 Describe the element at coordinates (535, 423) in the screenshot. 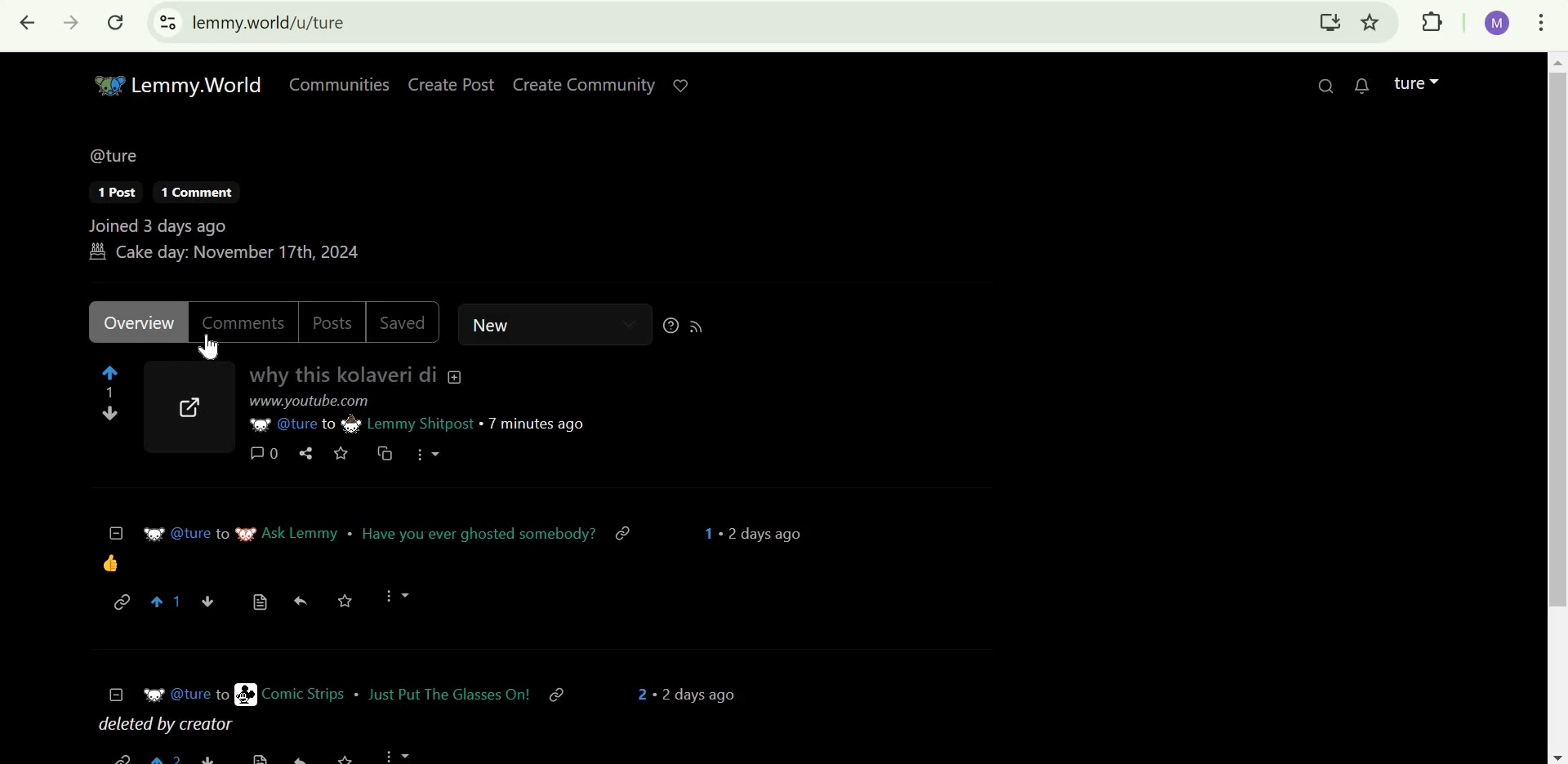

I see `7 minutes ago` at that location.